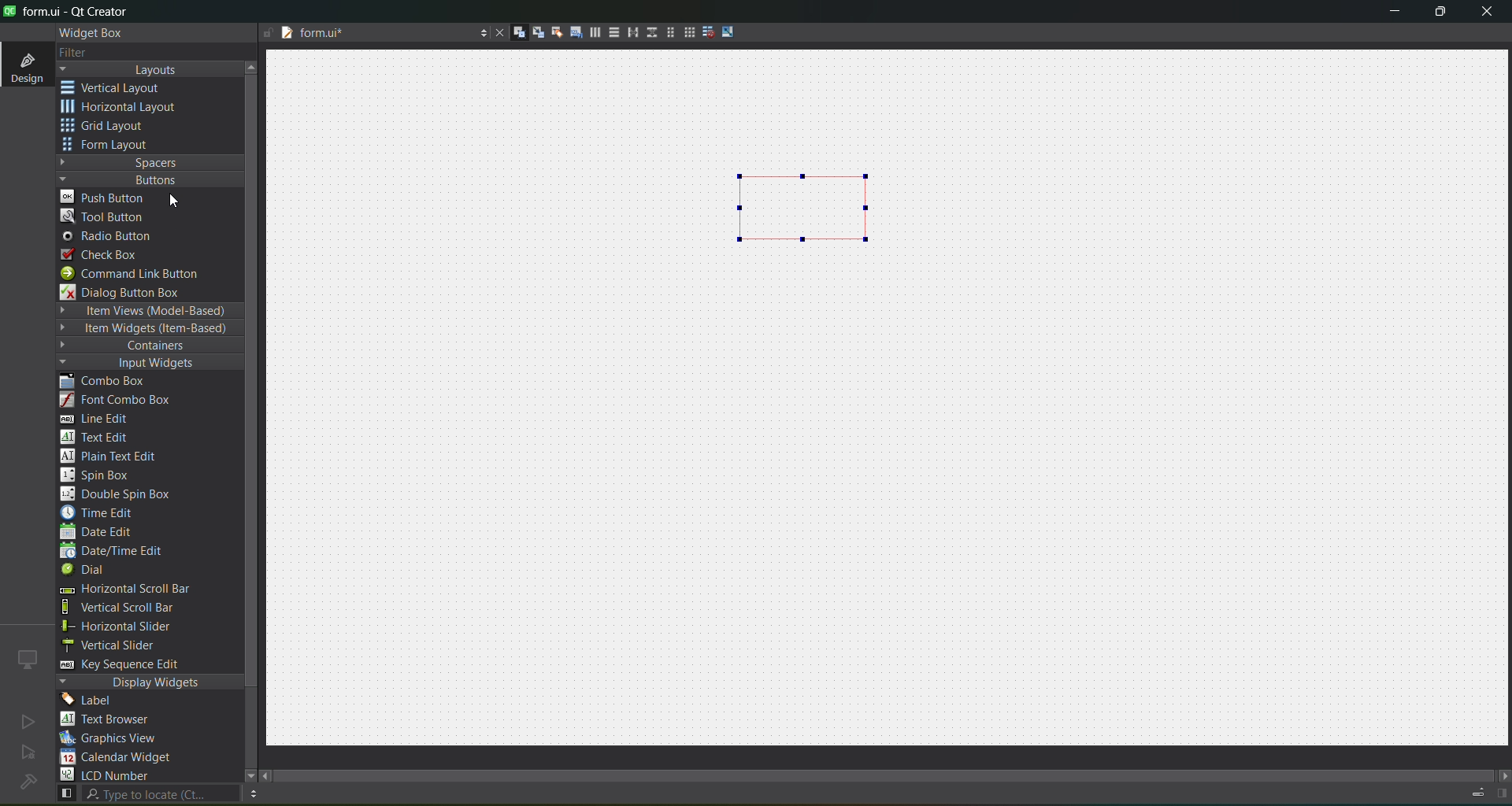 The height and width of the screenshot is (806, 1512). Describe the element at coordinates (127, 494) in the screenshot. I see `double spin box` at that location.